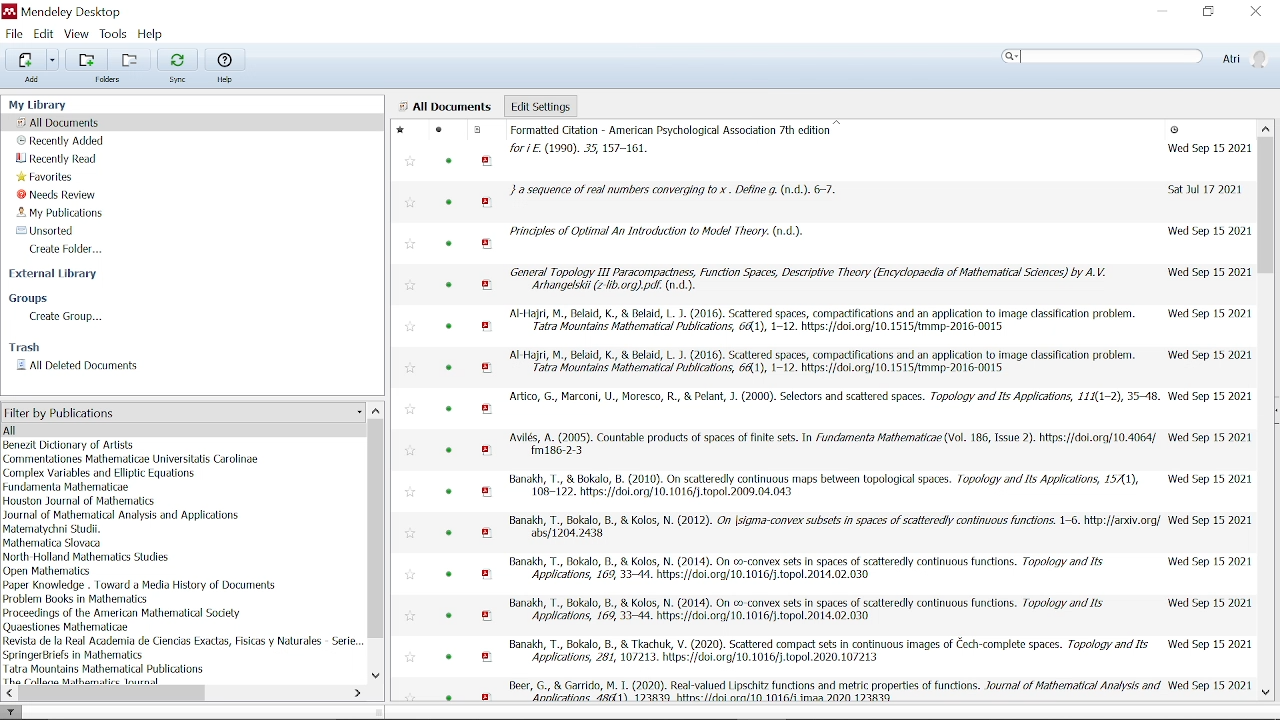  What do you see at coordinates (488, 533) in the screenshot?
I see `pdf` at bounding box center [488, 533].